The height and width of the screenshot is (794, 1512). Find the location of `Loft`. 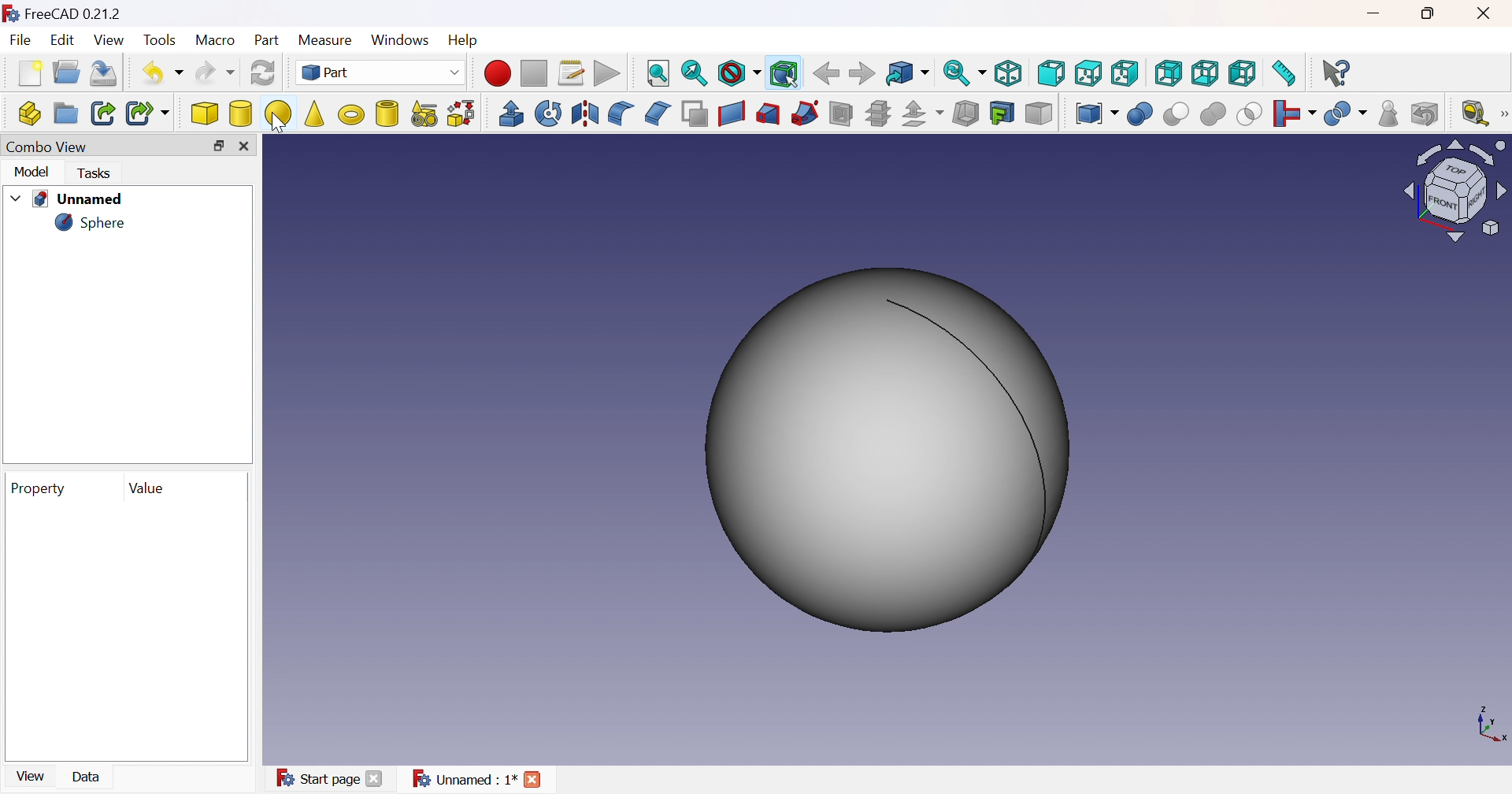

Loft is located at coordinates (769, 114).